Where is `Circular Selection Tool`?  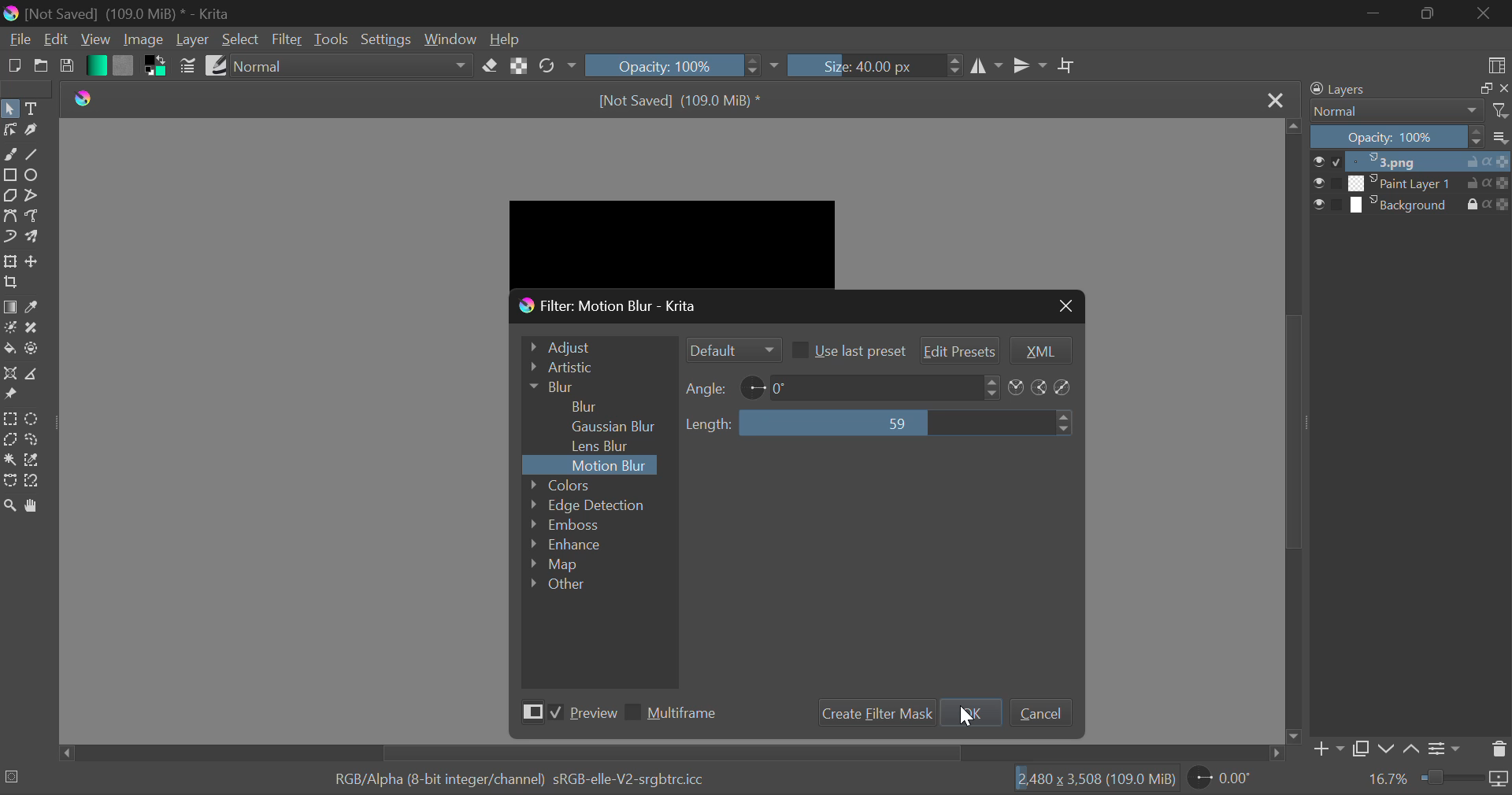 Circular Selection Tool is located at coordinates (35, 420).